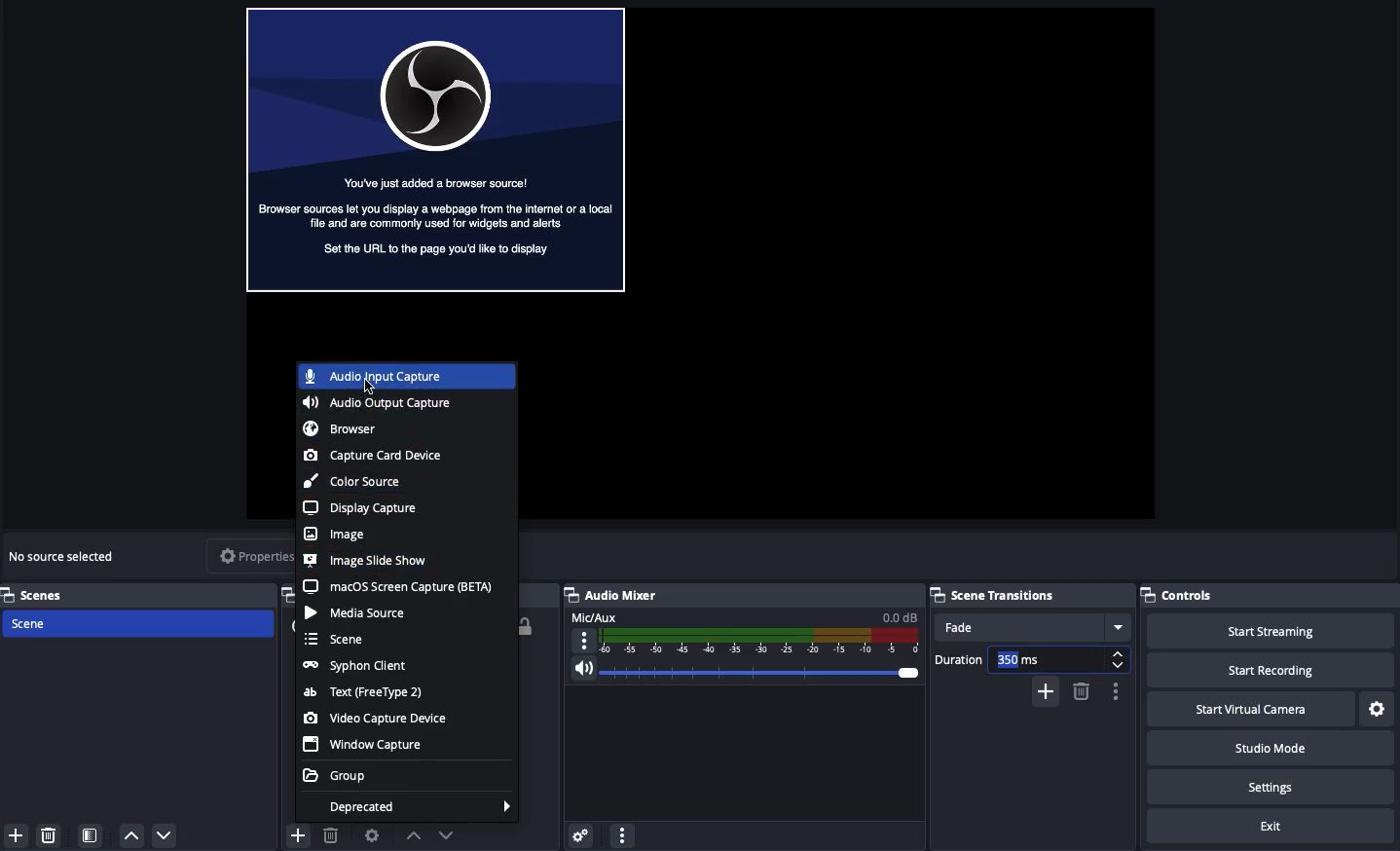  I want to click on Add, so click(1045, 692).